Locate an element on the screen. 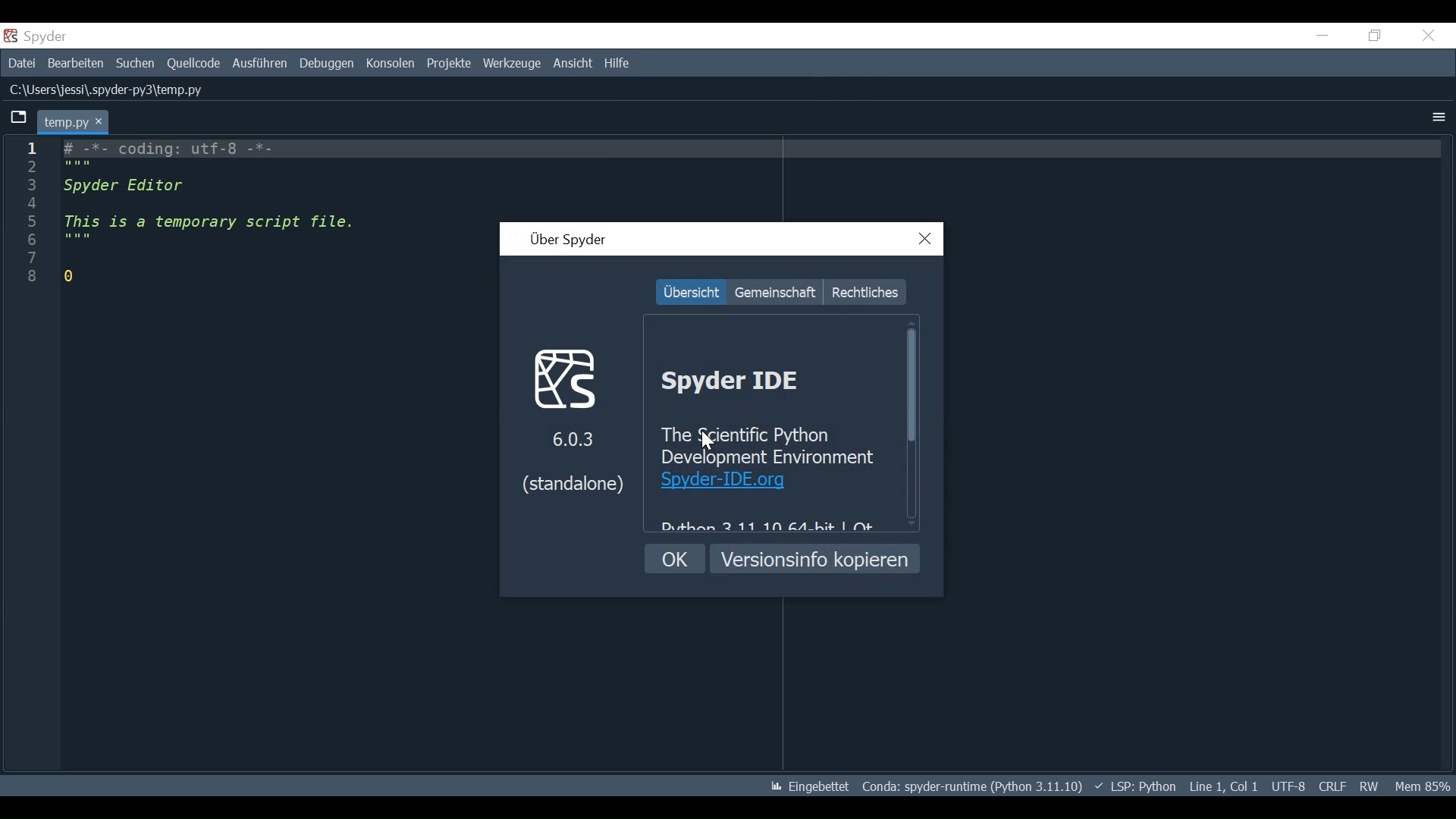  File is located at coordinates (20, 62).